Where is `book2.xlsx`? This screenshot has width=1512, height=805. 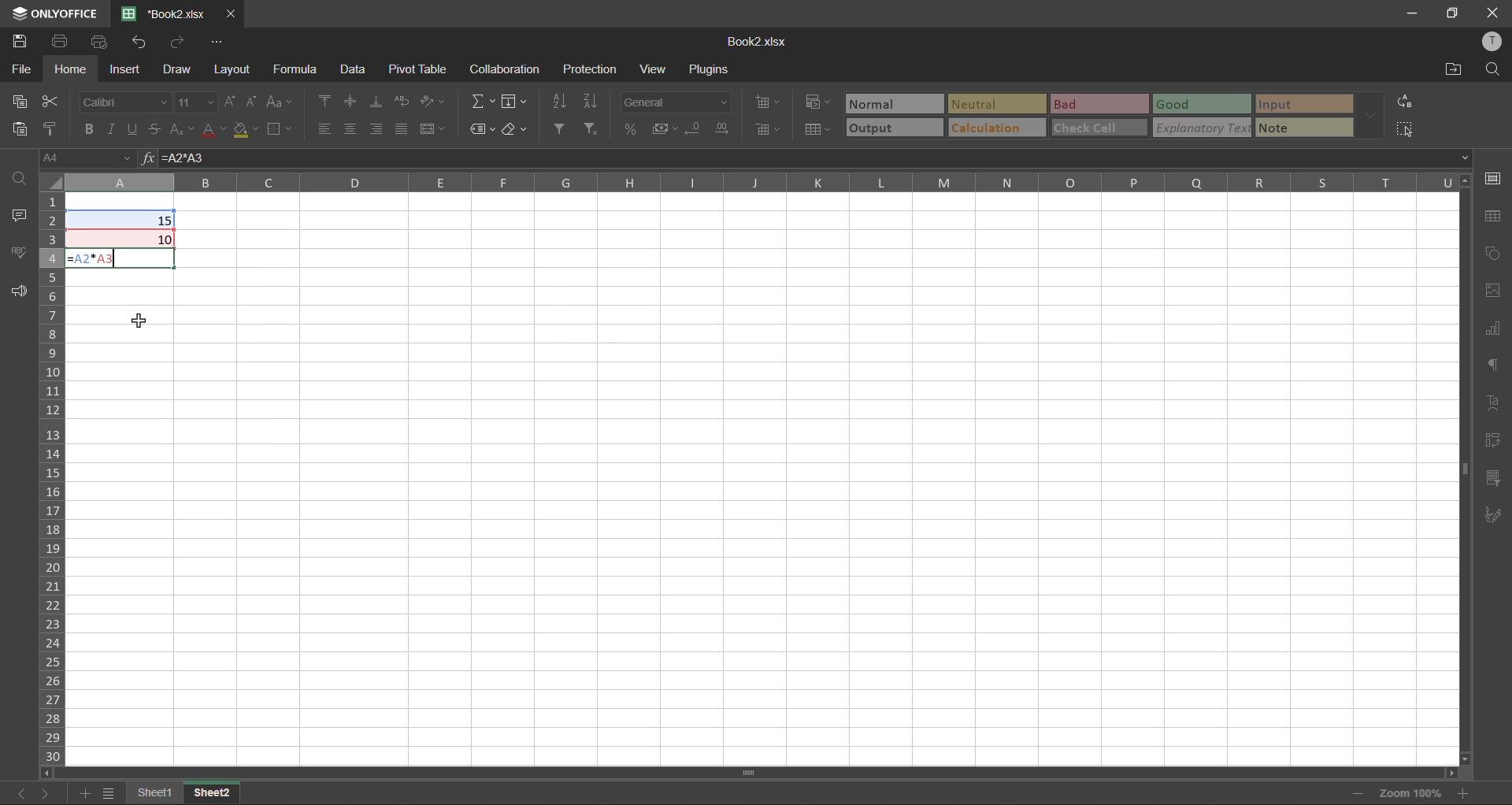 book2.xlsx is located at coordinates (159, 13).